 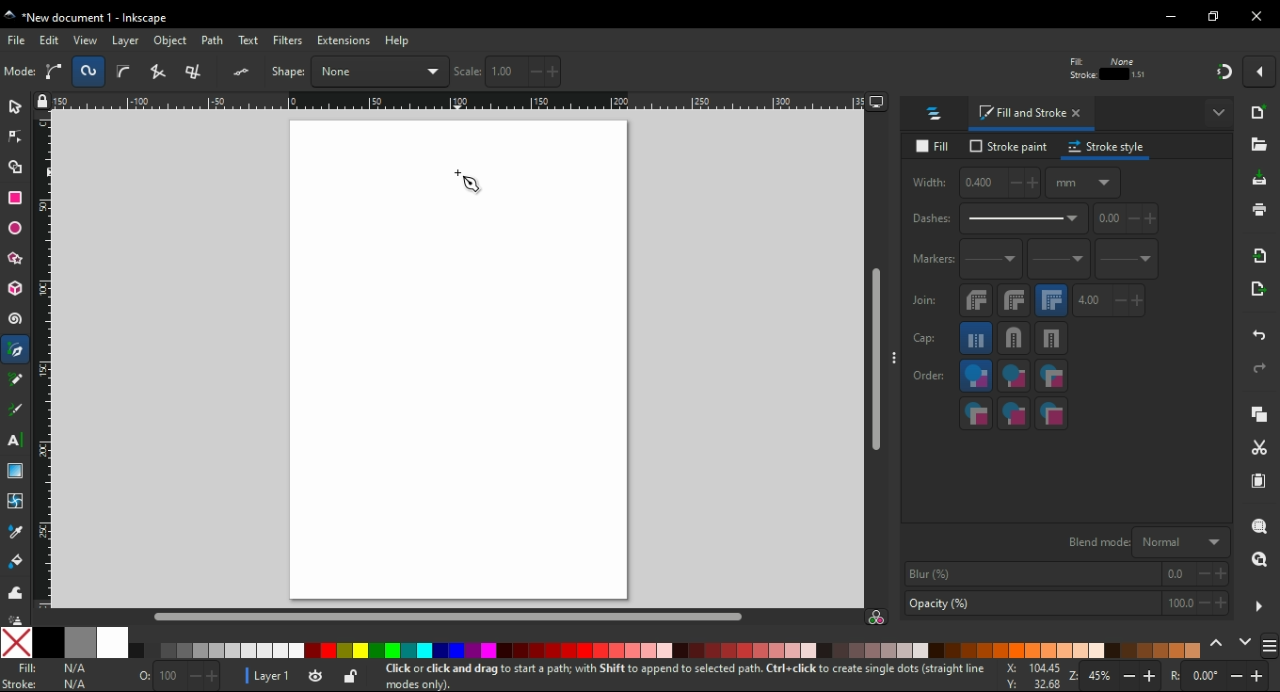 I want to click on measurement unit, so click(x=1012, y=71).